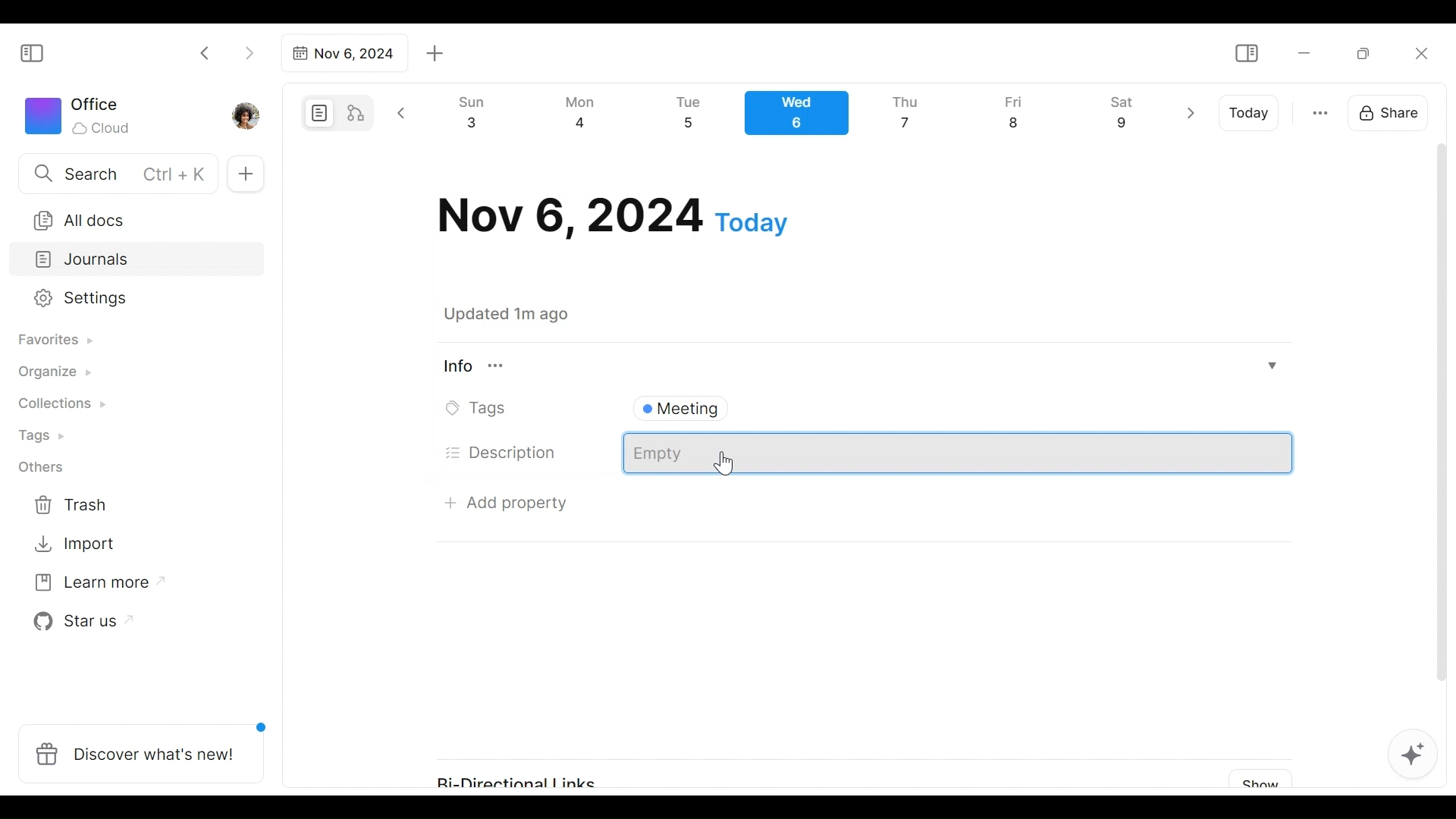 The height and width of the screenshot is (819, 1456). Describe the element at coordinates (803, 117) in the screenshot. I see `Calendar` at that location.